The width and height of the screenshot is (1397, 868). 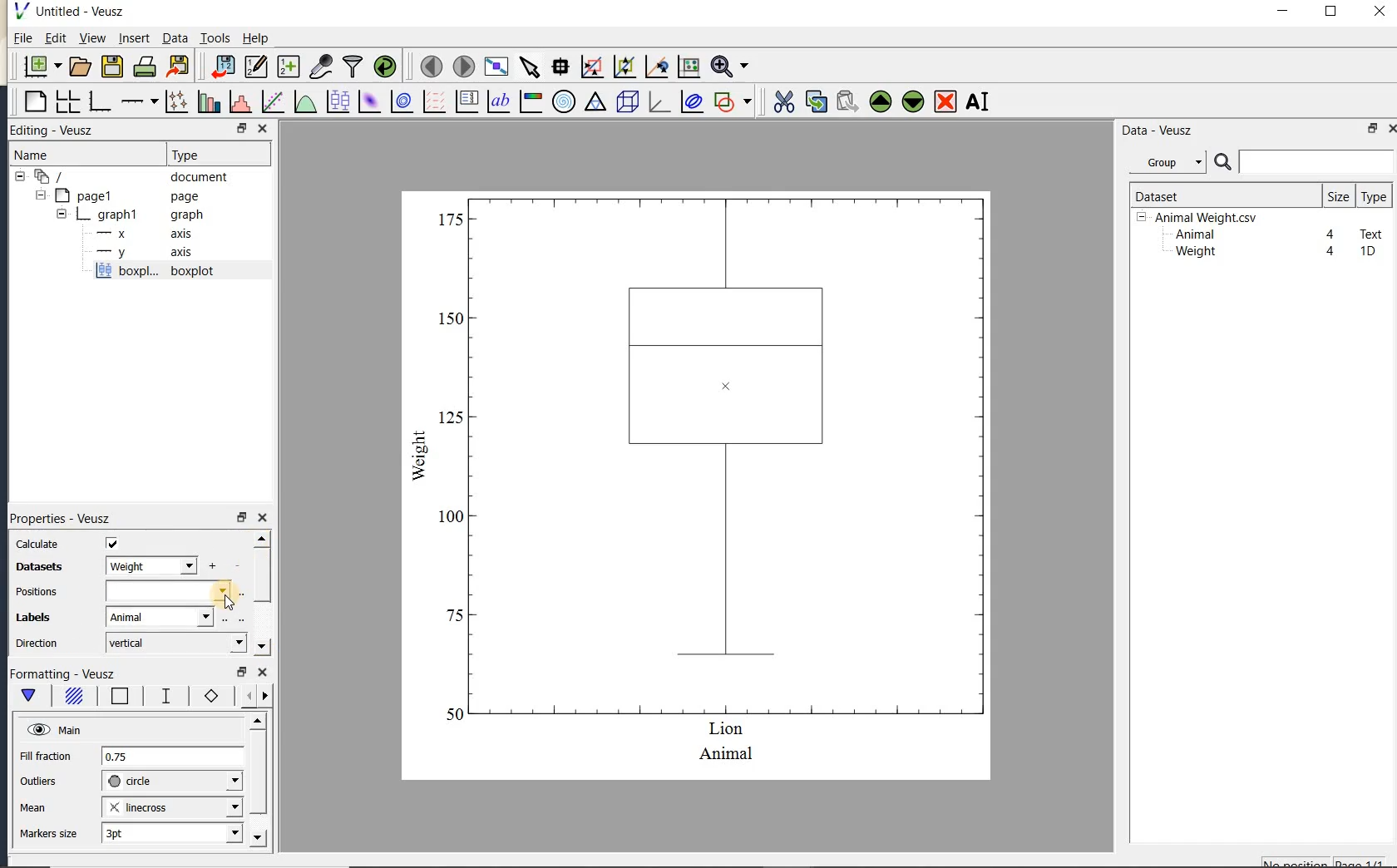 I want to click on page1, so click(x=119, y=197).